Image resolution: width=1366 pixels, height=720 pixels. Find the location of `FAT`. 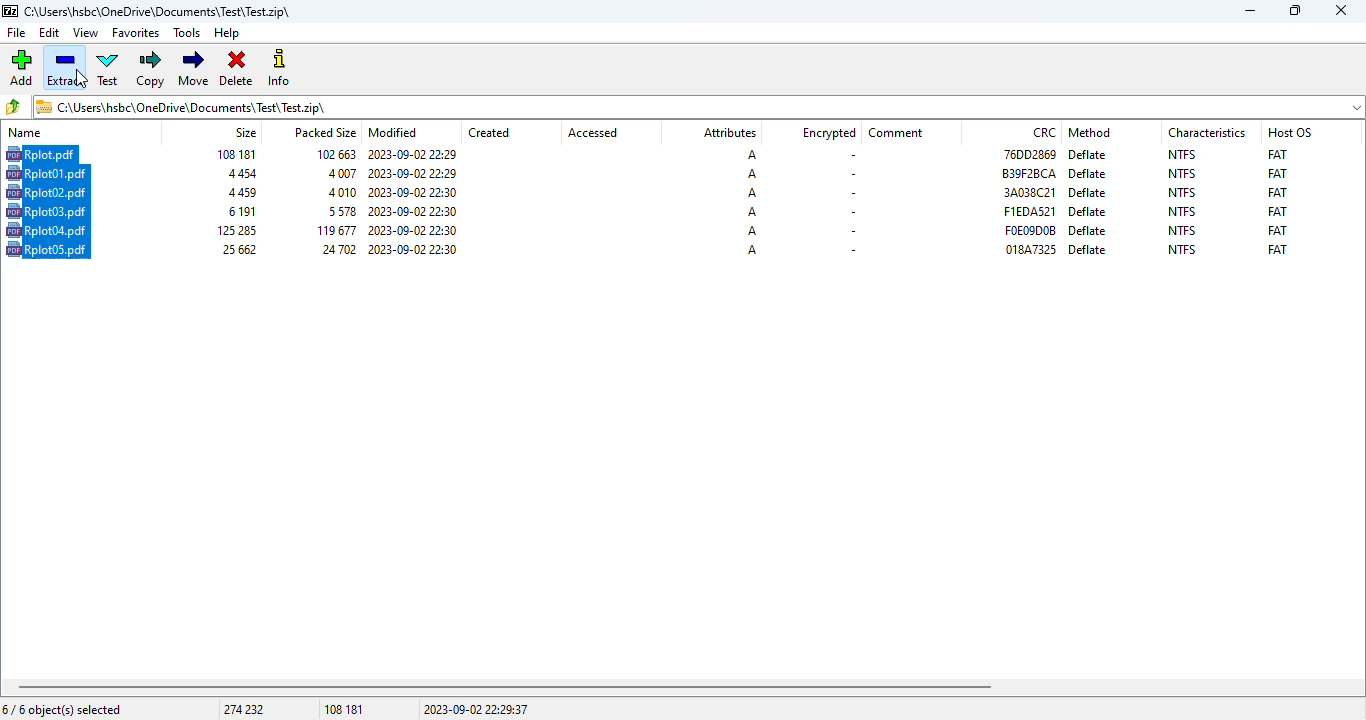

FAT is located at coordinates (1277, 230).